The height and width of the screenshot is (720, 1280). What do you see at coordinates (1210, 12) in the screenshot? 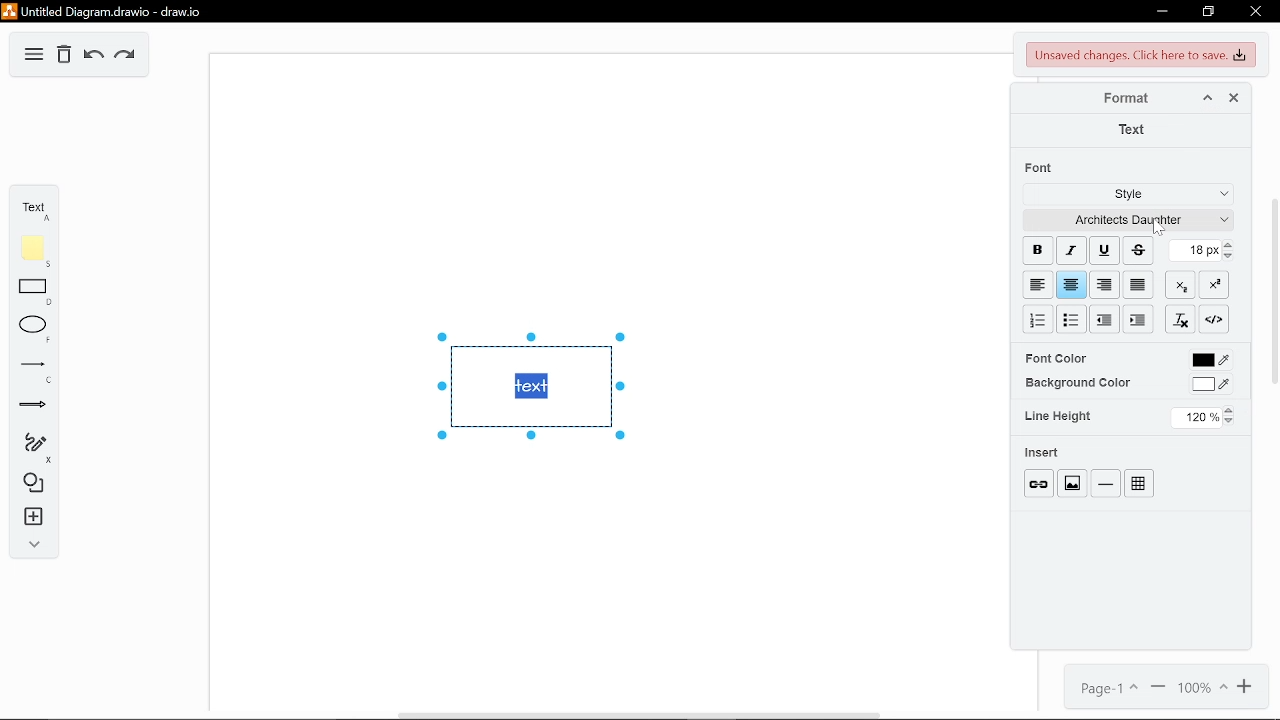
I see `restore down` at bounding box center [1210, 12].